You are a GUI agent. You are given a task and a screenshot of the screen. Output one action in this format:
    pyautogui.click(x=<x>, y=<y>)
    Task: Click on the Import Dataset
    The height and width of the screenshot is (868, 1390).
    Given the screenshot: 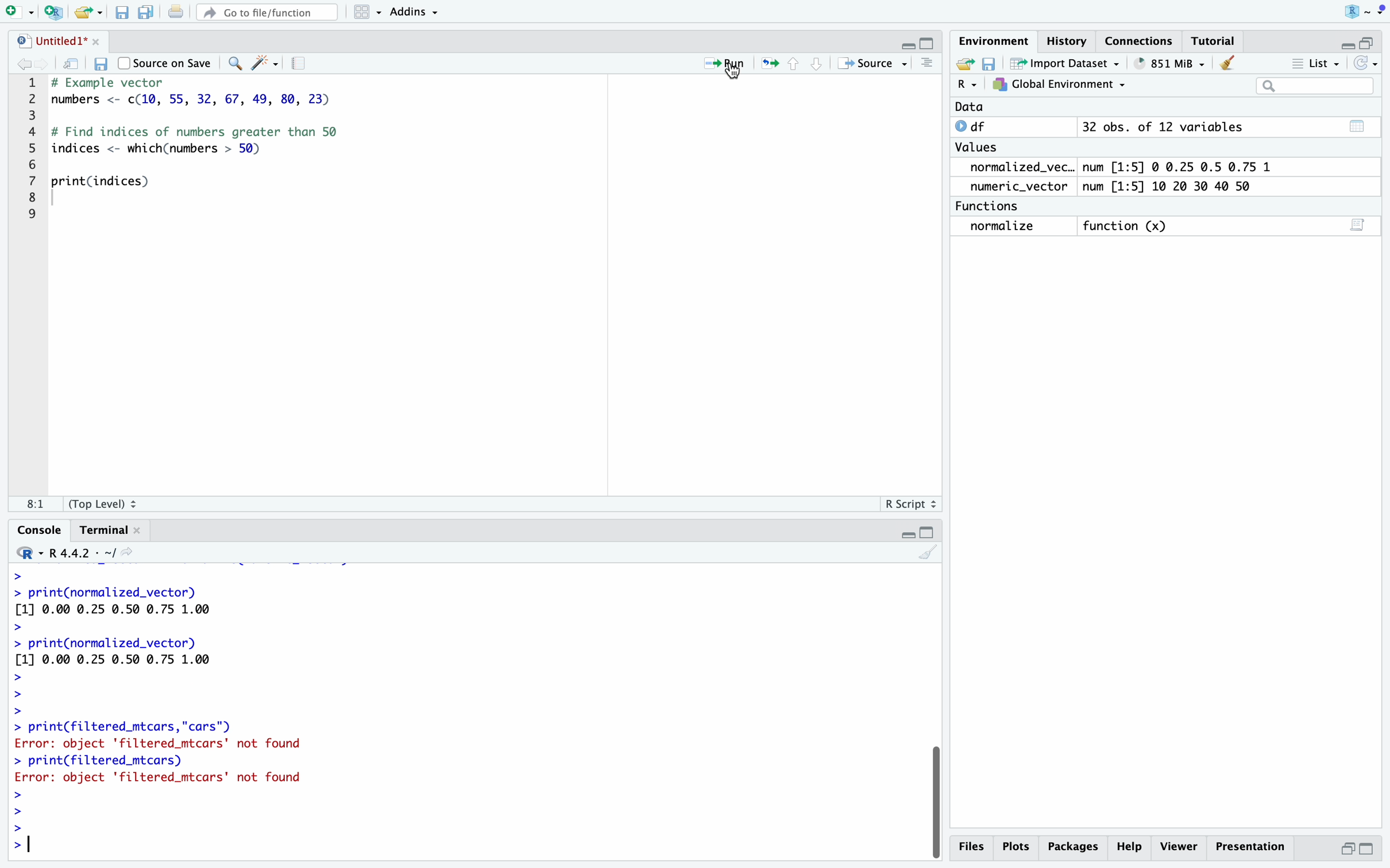 What is the action you would take?
    pyautogui.click(x=1062, y=64)
    